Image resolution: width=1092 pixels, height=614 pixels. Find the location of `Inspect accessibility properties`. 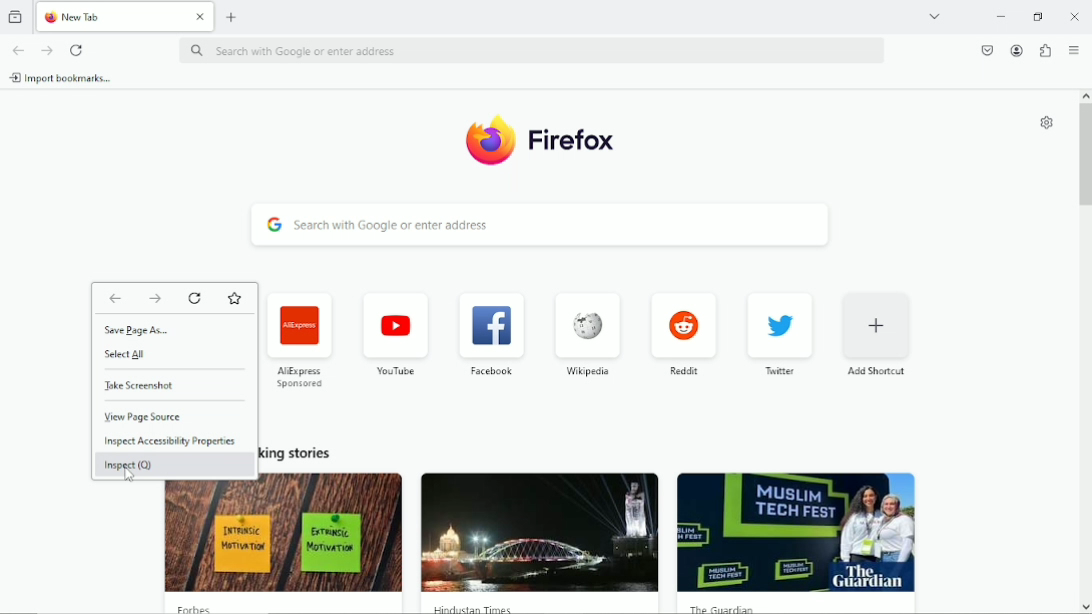

Inspect accessibility properties is located at coordinates (171, 441).